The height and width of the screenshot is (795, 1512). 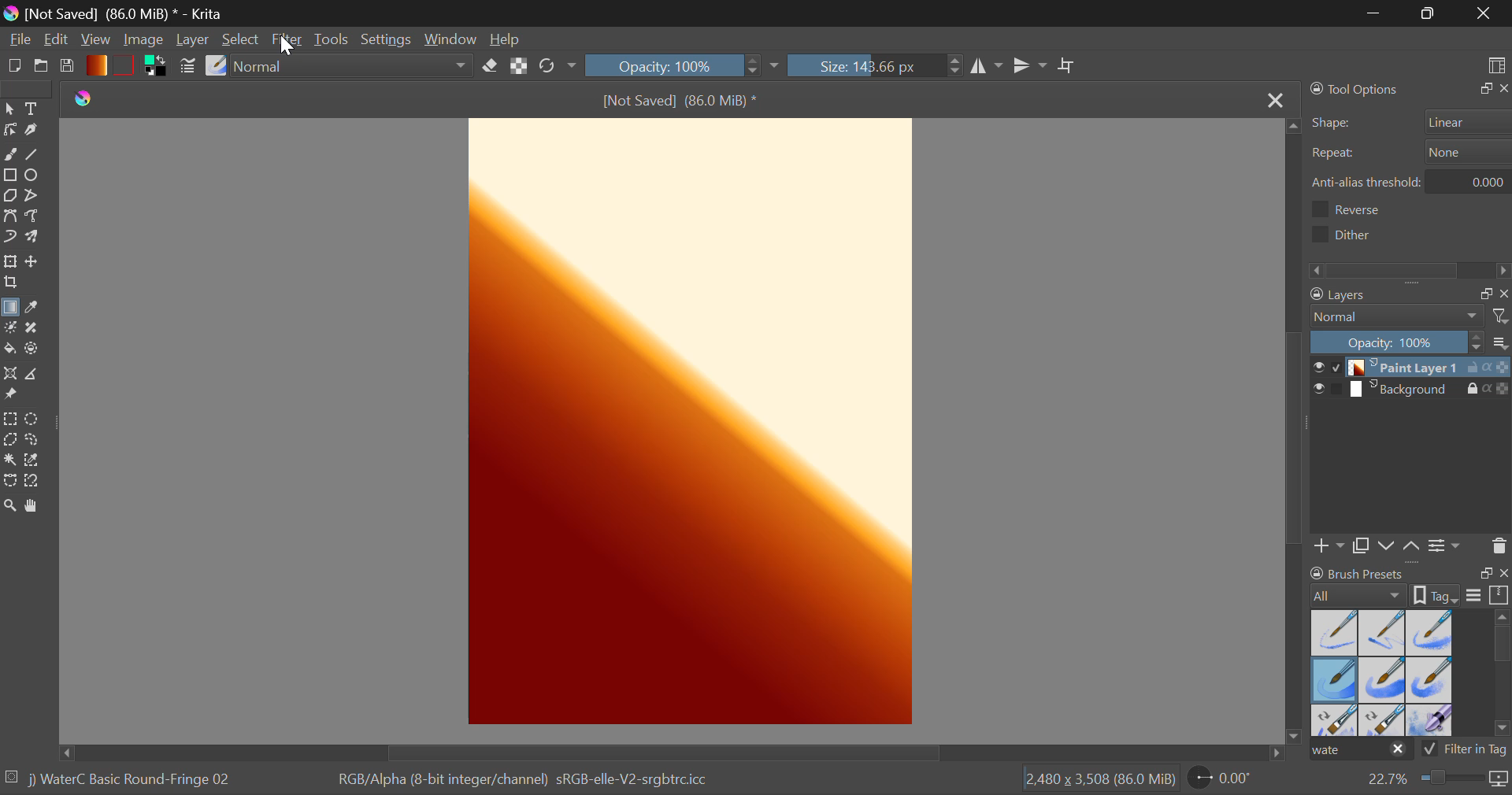 What do you see at coordinates (686, 66) in the screenshot?
I see `Opacity` at bounding box center [686, 66].